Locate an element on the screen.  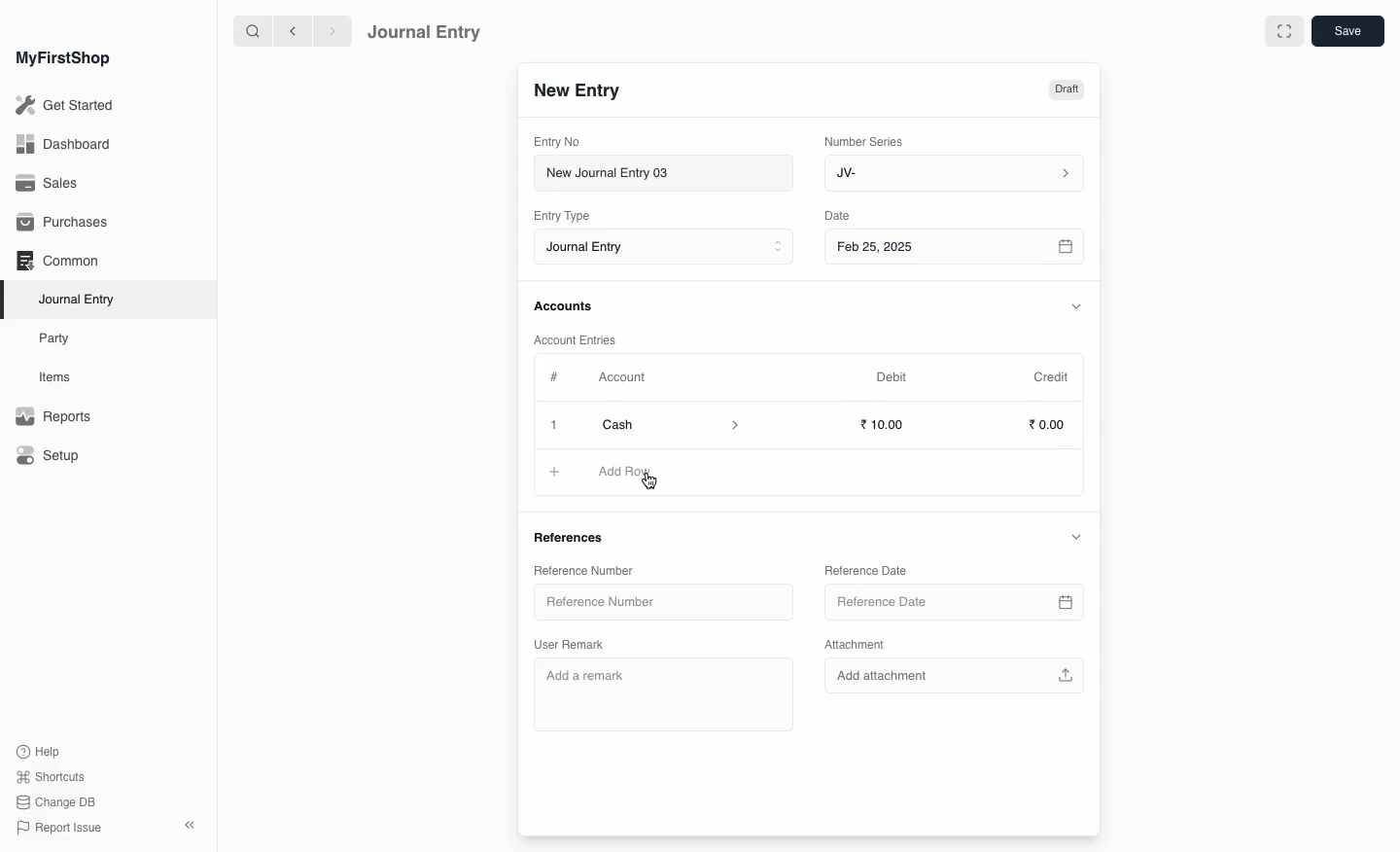
Reference Date is located at coordinates (868, 569).